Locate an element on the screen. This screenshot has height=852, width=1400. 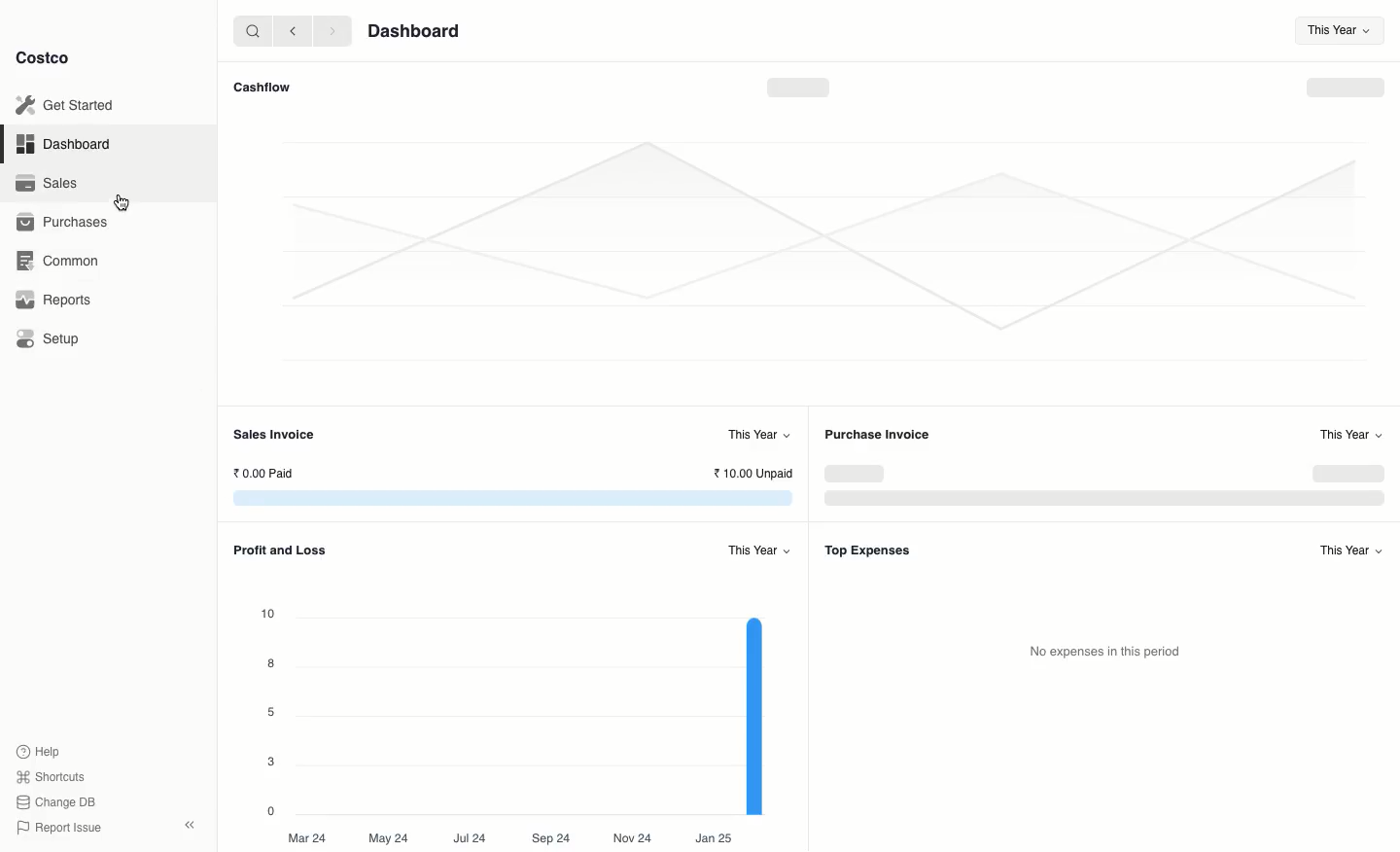
Purchase Invoice is located at coordinates (880, 434).